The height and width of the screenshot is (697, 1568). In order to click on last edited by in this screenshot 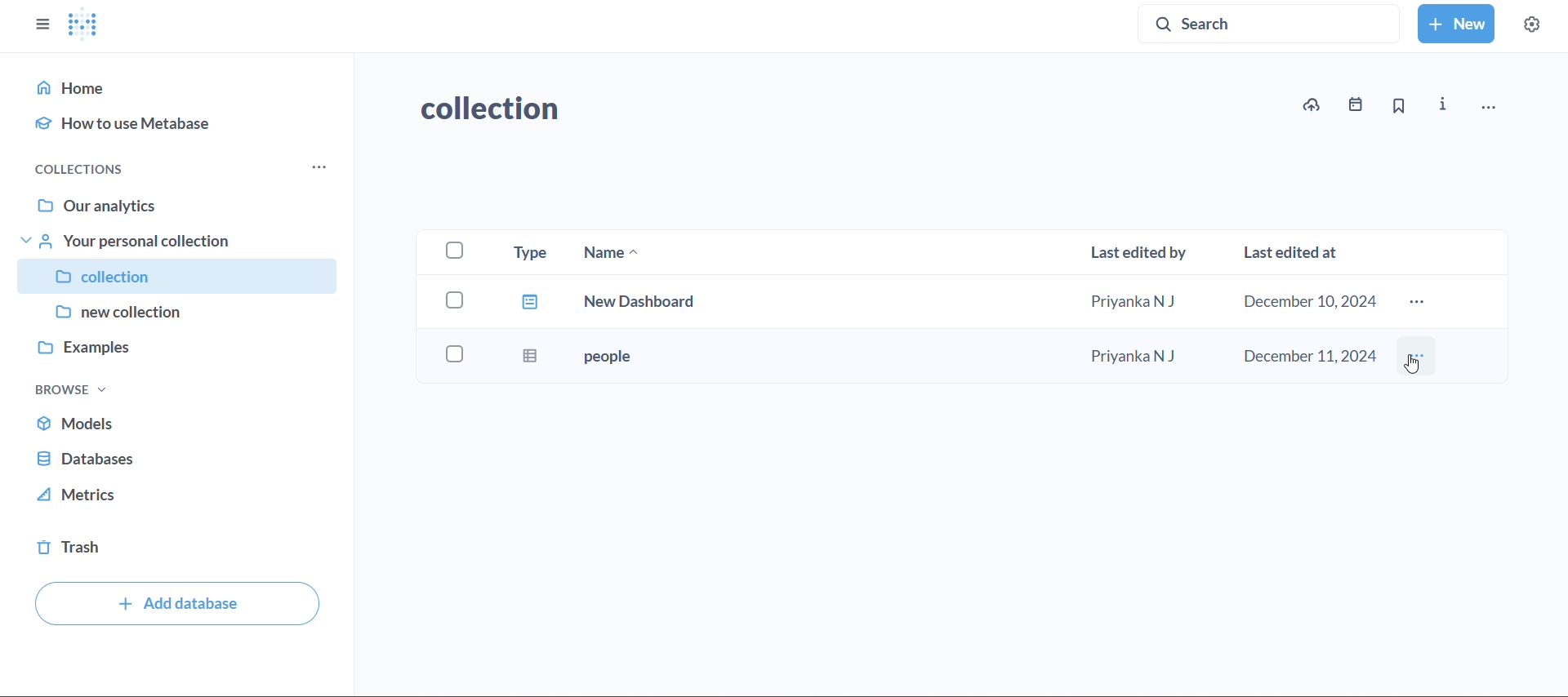, I will do `click(1138, 254)`.